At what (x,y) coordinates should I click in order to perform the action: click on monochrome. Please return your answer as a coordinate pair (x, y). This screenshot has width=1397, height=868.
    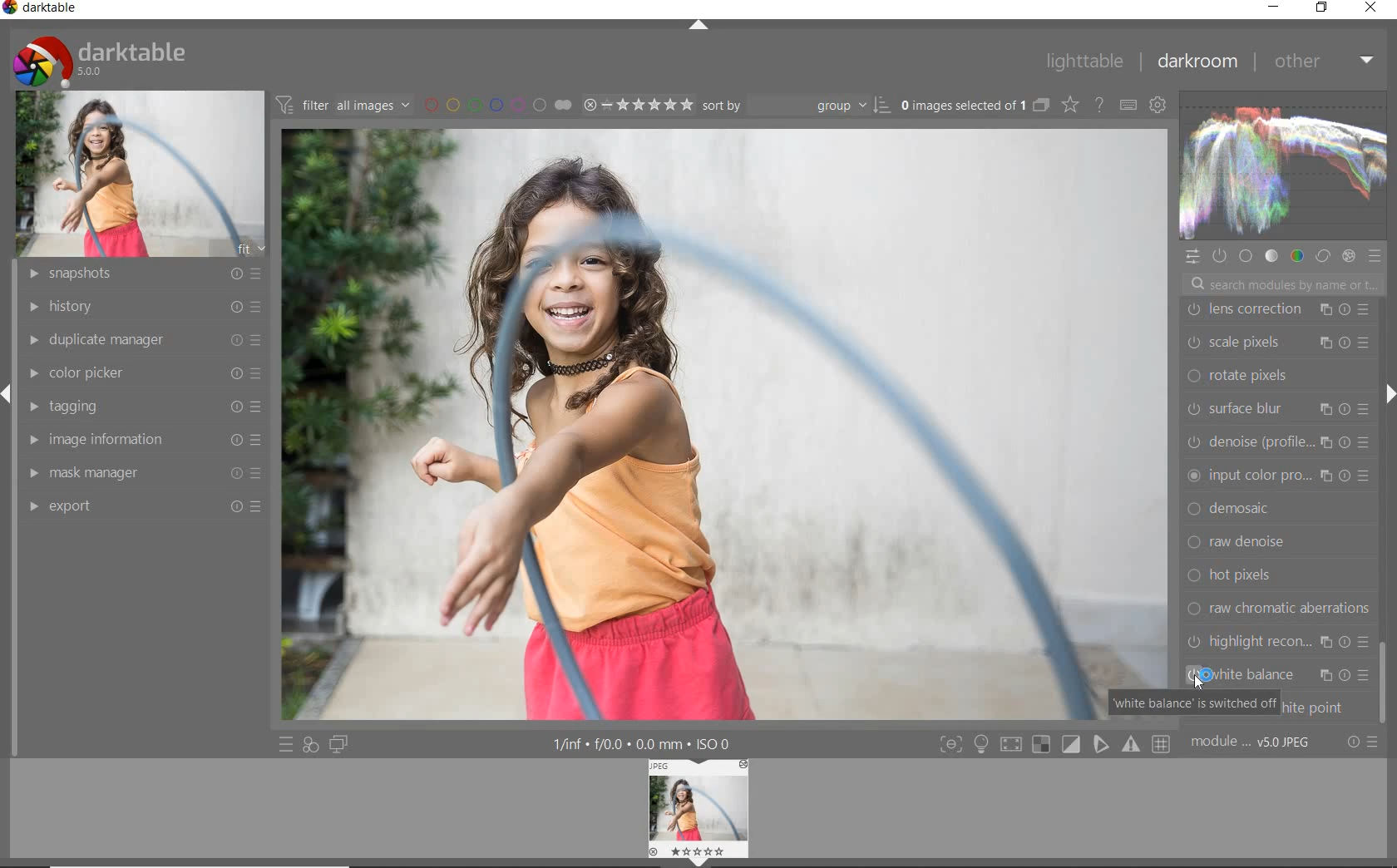
    Looking at the image, I should click on (1281, 614).